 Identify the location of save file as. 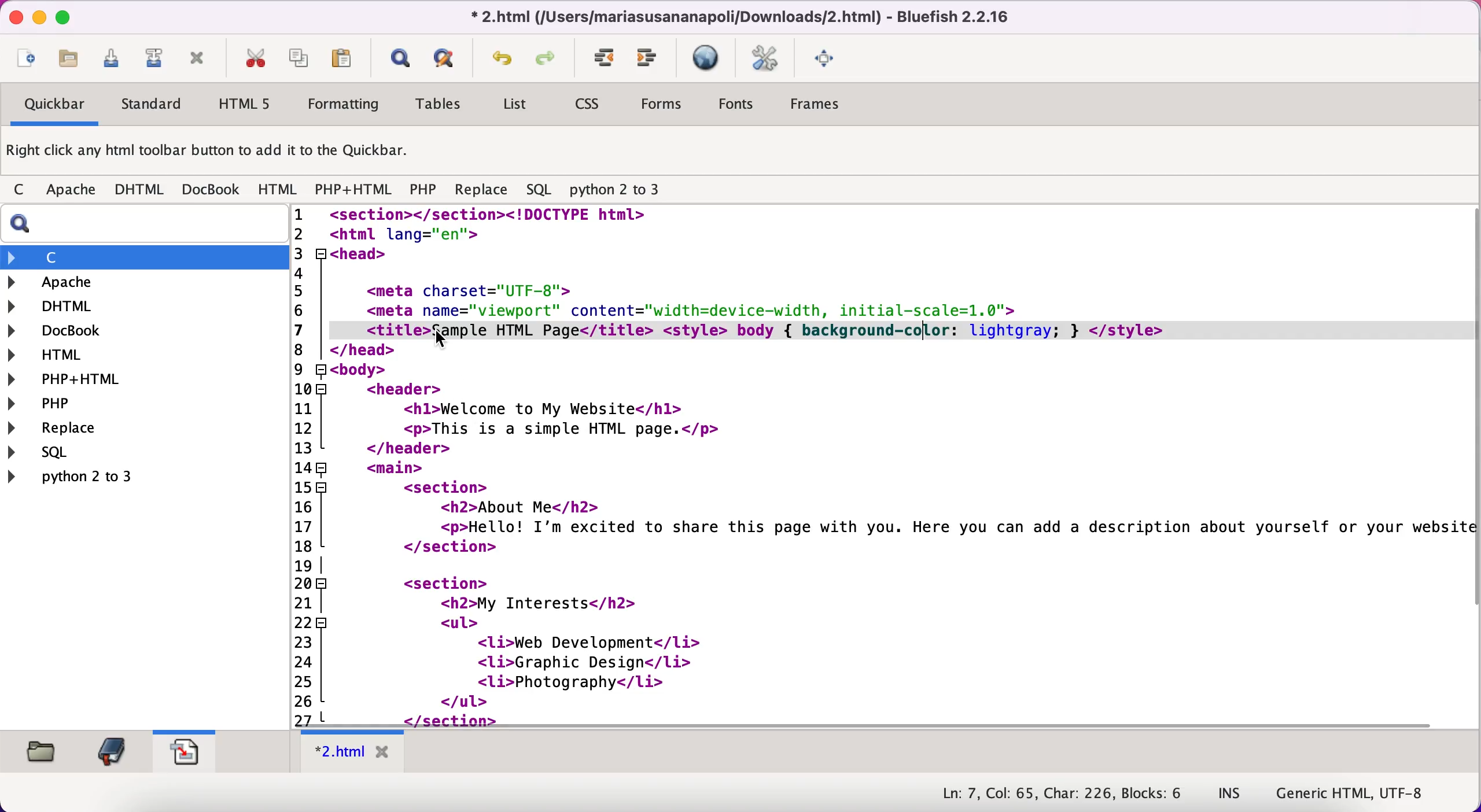
(153, 58).